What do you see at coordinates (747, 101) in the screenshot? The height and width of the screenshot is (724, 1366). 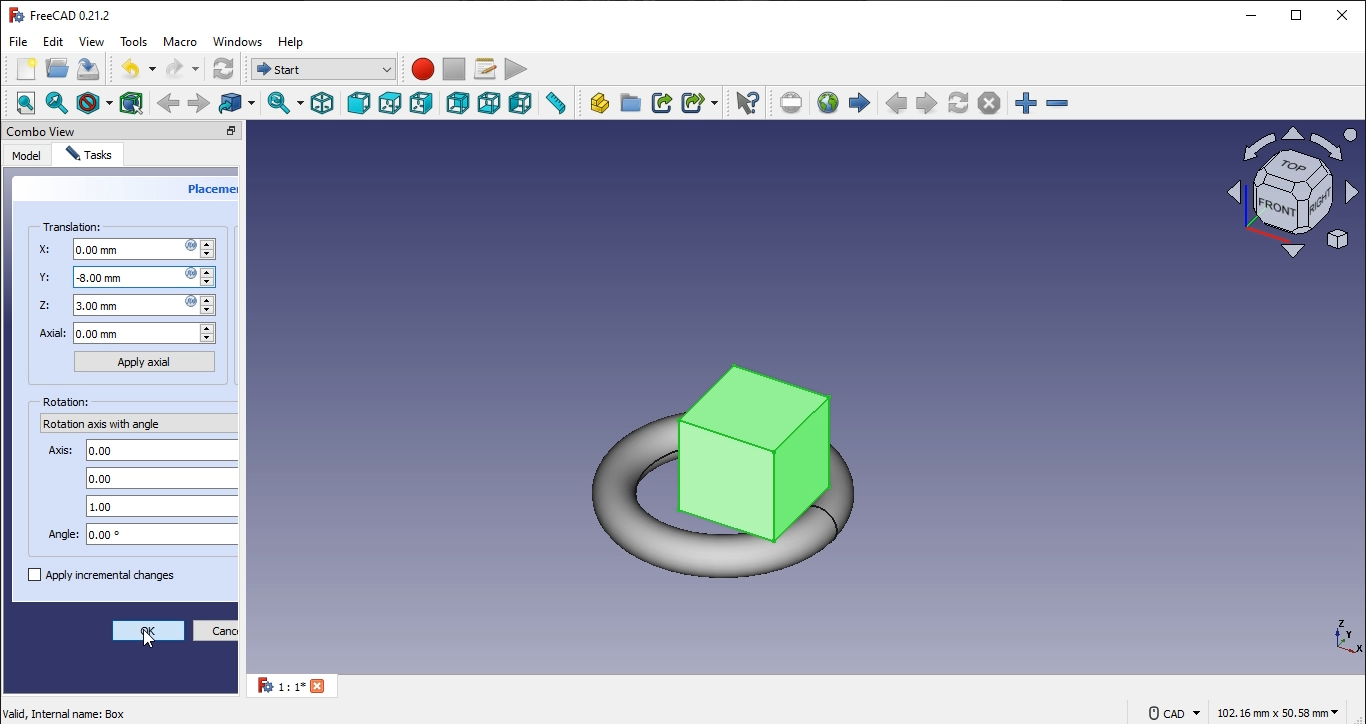 I see `whats this` at bounding box center [747, 101].